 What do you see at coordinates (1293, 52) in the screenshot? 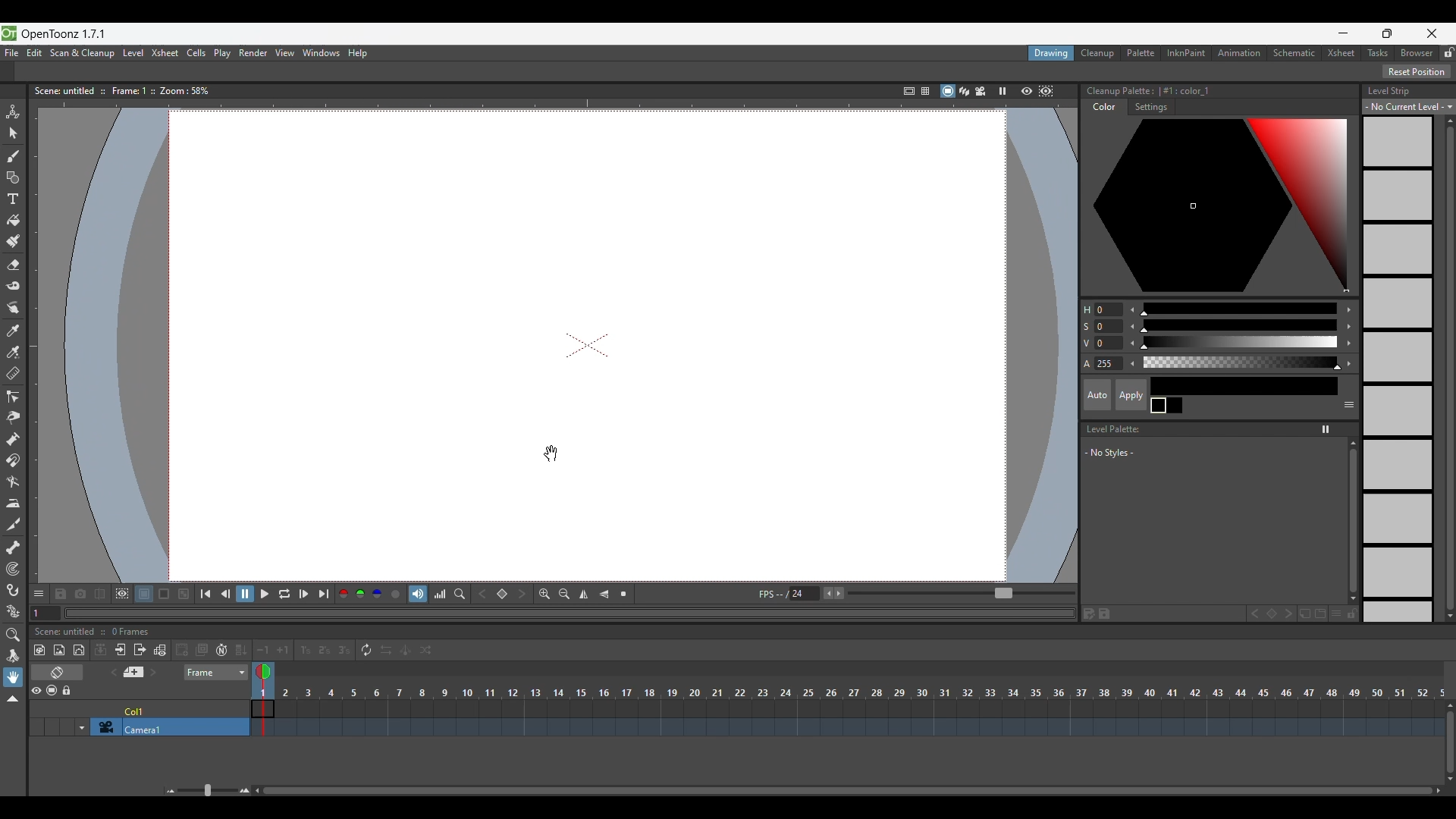
I see `Schematic` at bounding box center [1293, 52].